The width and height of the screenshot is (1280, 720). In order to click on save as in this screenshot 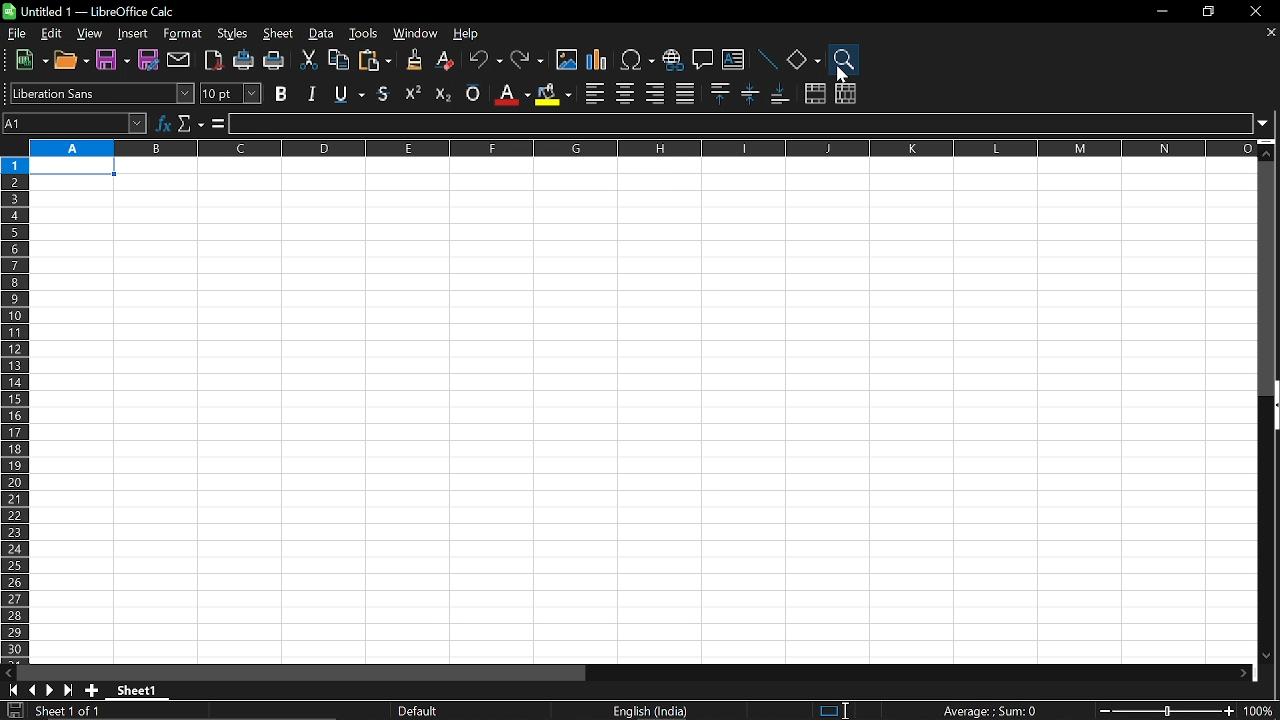, I will do `click(149, 60)`.